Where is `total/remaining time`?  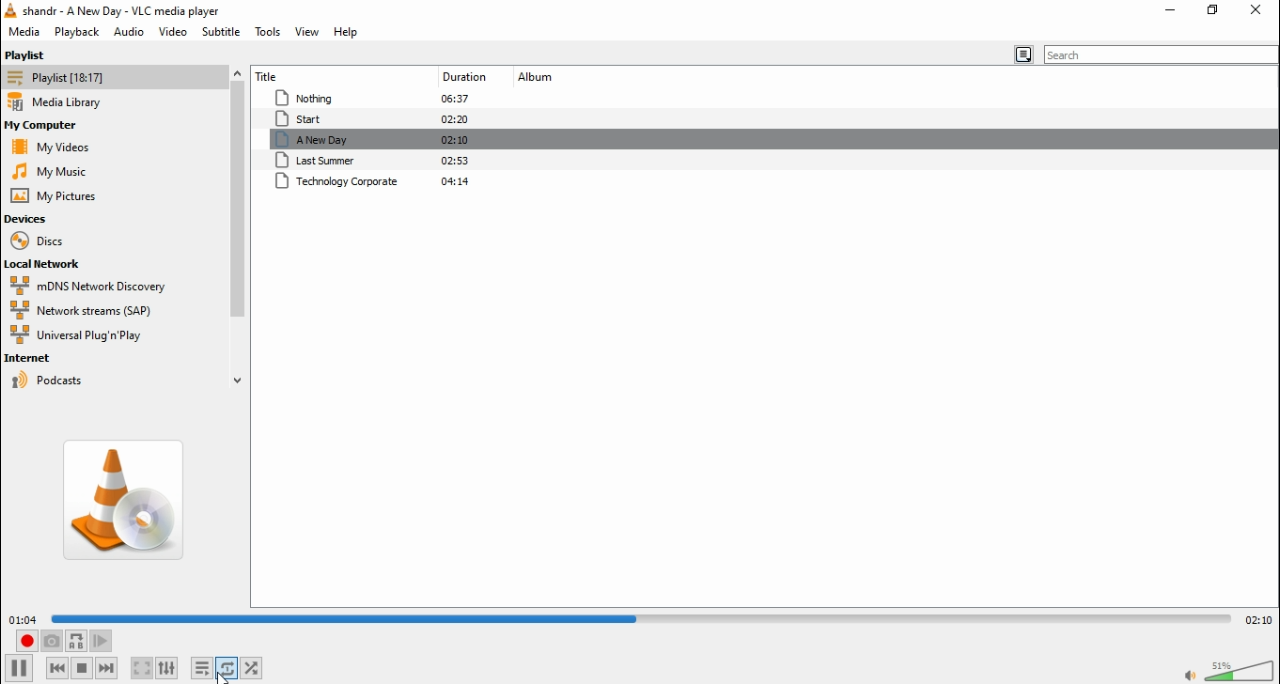 total/remaining time is located at coordinates (1258, 619).